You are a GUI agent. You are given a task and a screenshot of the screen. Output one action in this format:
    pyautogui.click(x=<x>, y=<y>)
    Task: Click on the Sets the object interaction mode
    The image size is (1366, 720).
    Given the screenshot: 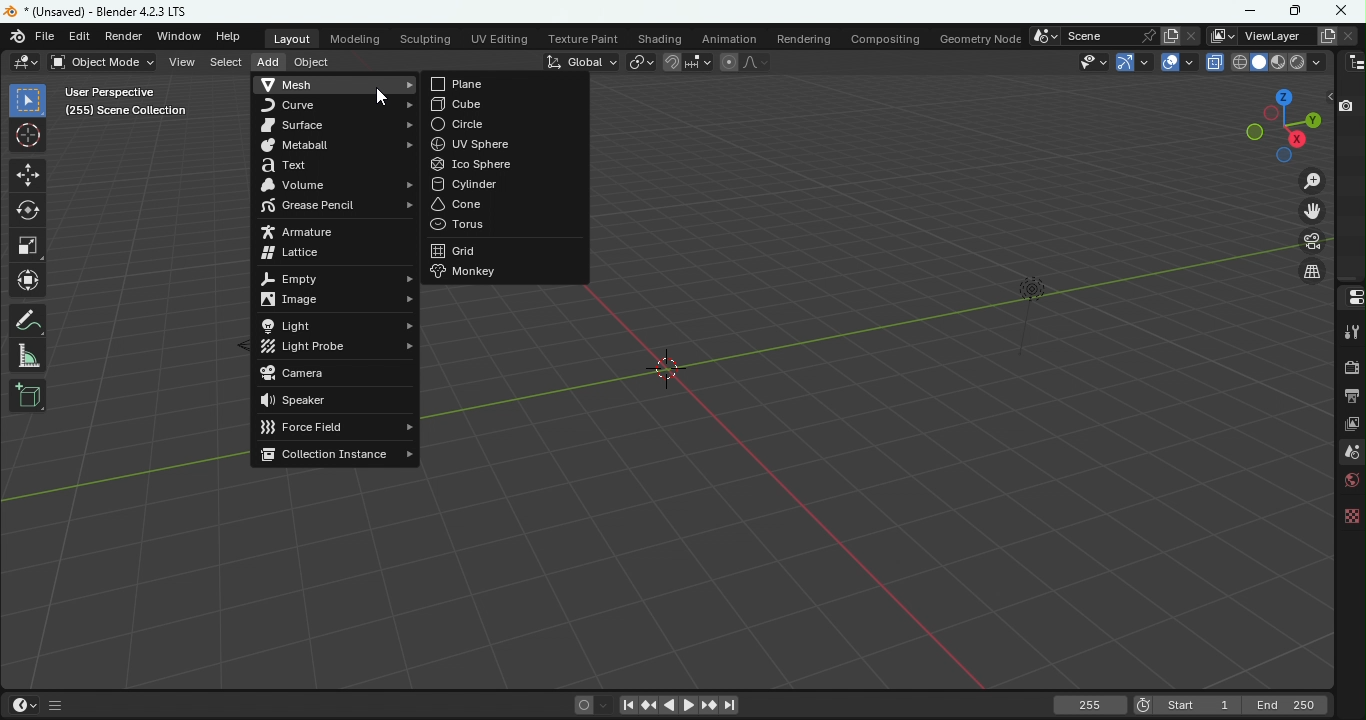 What is the action you would take?
    pyautogui.click(x=100, y=62)
    